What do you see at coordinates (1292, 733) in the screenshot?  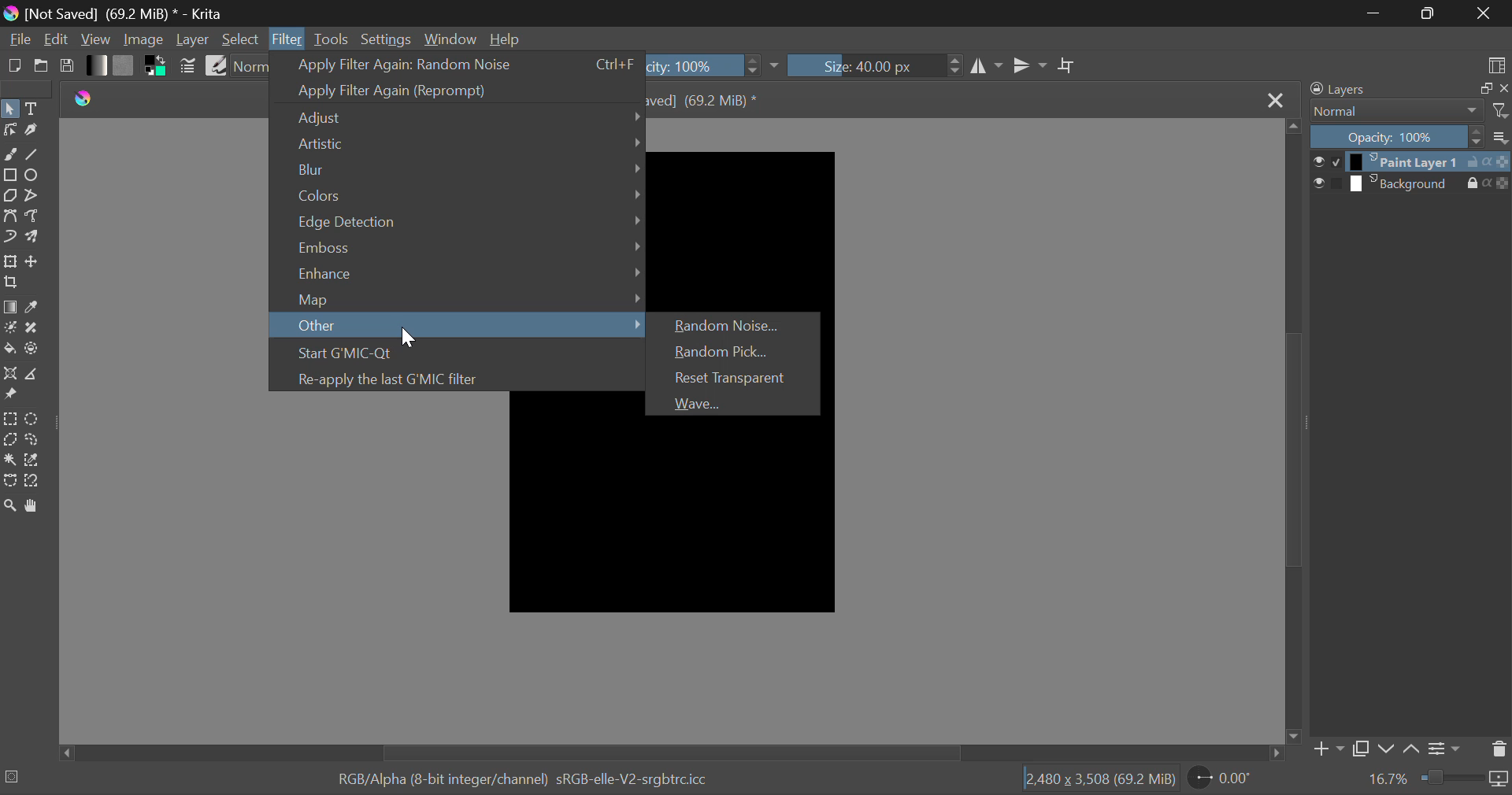 I see `move down` at bounding box center [1292, 733].